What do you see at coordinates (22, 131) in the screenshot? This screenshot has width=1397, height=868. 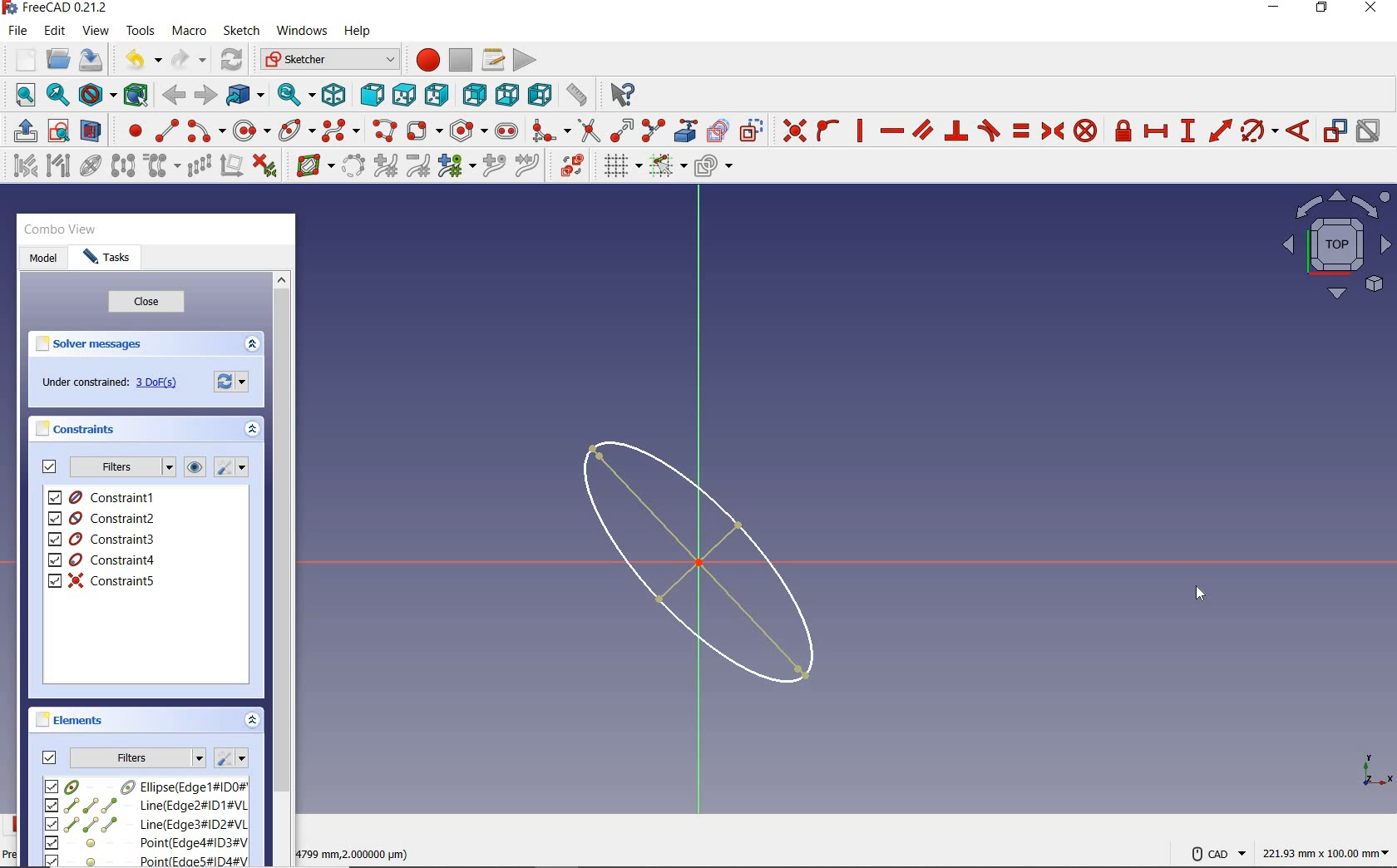 I see `leave sketch` at bounding box center [22, 131].